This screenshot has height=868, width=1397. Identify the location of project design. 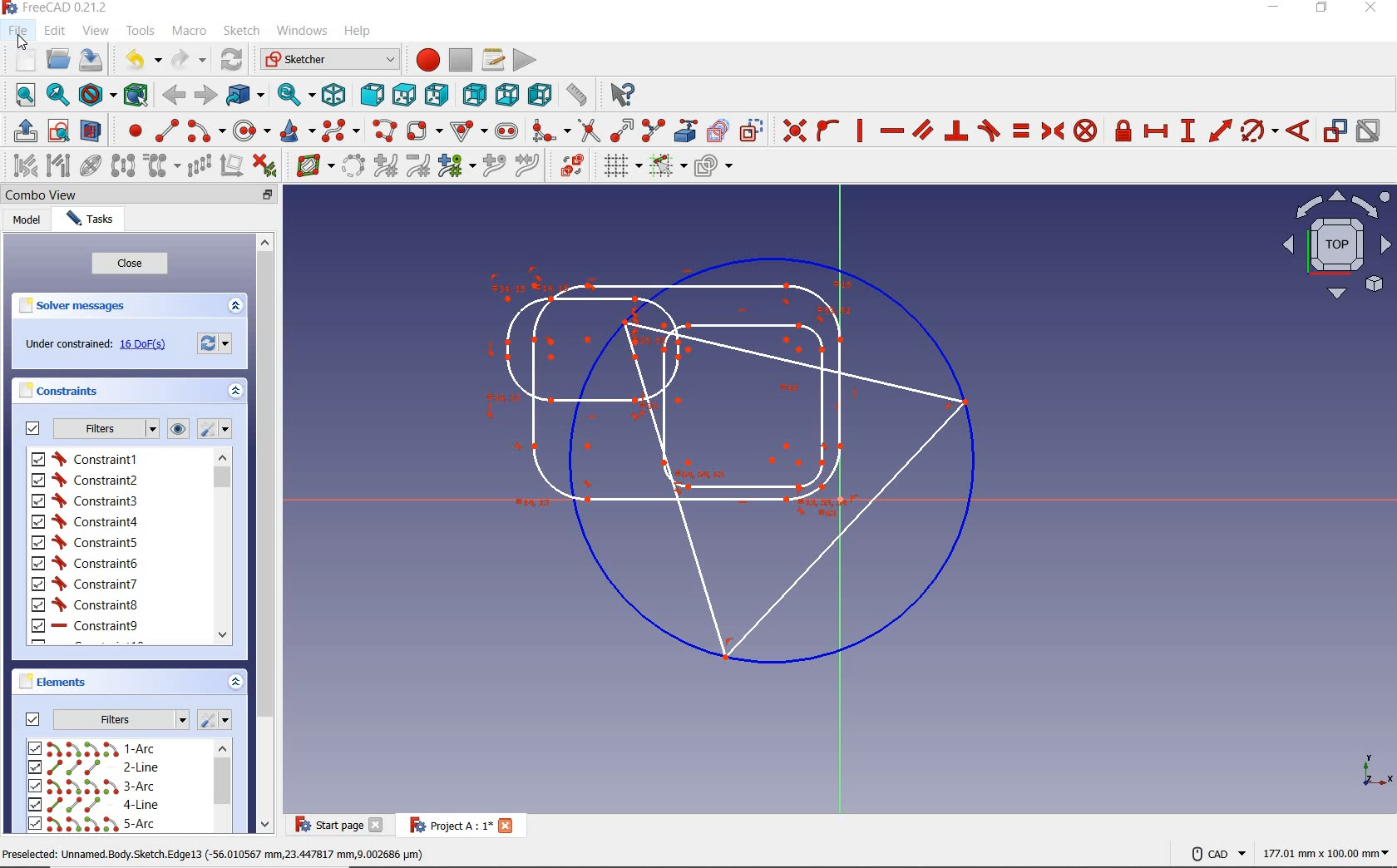
(738, 455).